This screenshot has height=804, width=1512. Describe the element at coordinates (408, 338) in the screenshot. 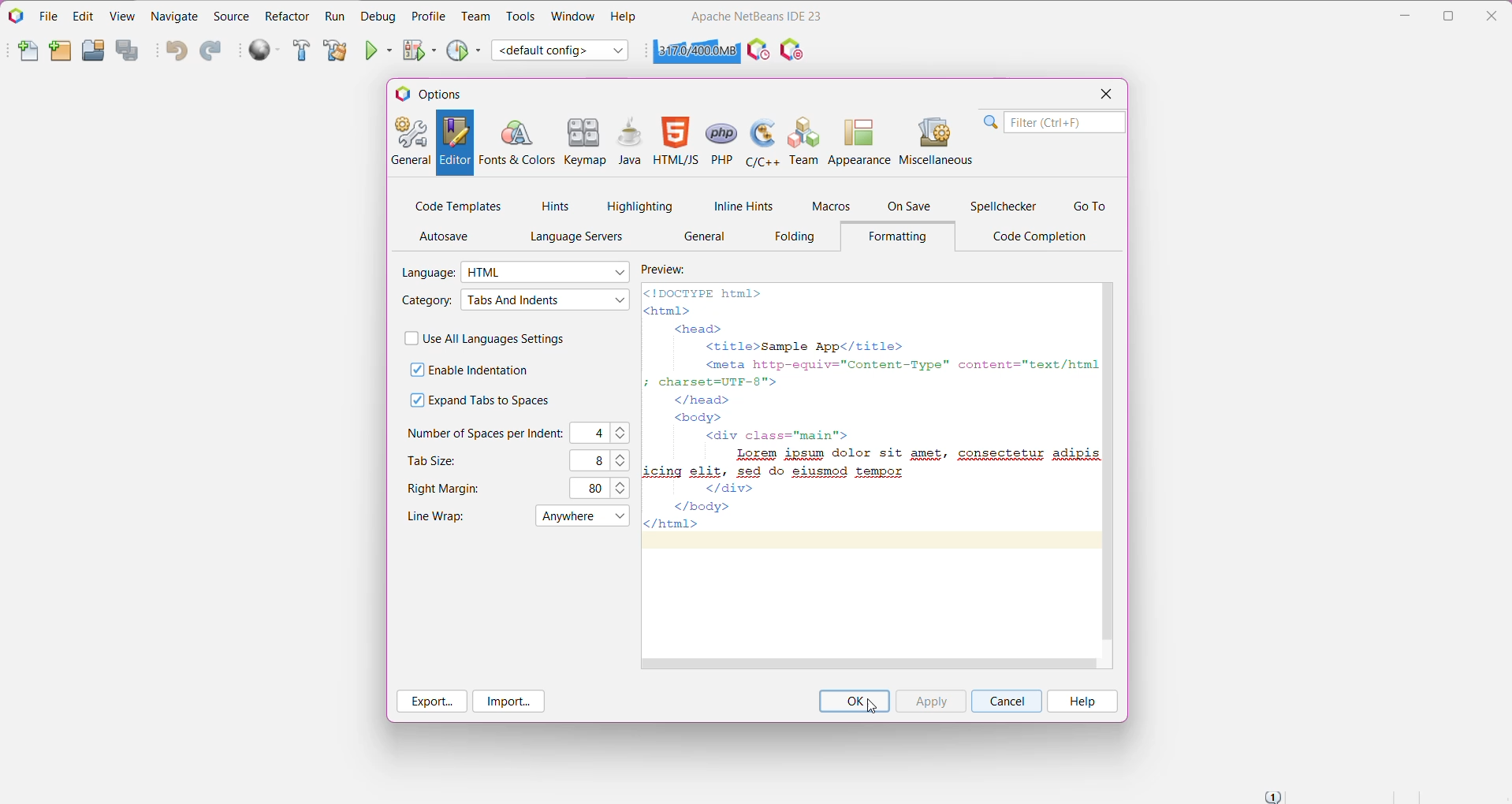

I see `check box` at that location.